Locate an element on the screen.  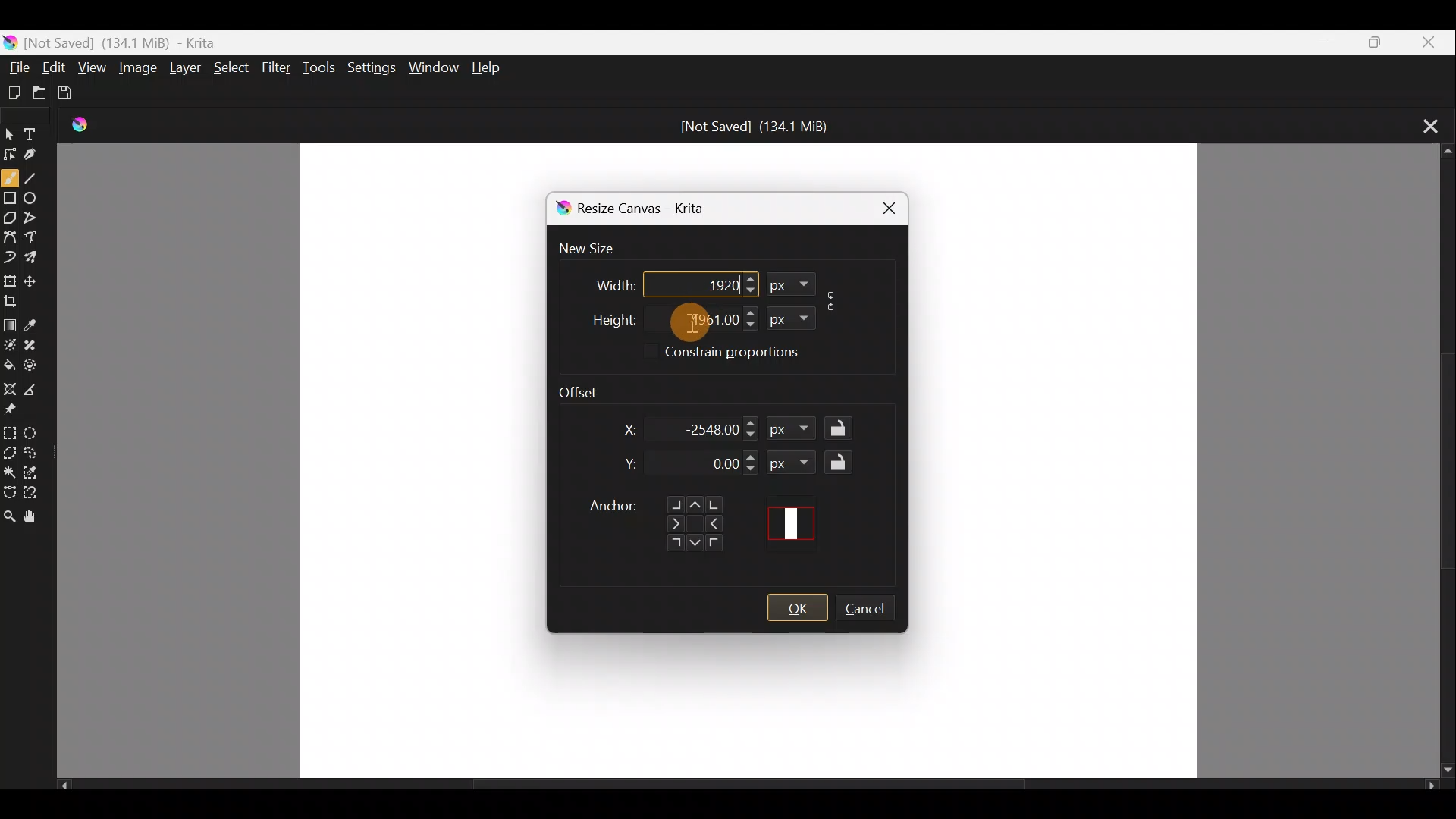
Calligraphy is located at coordinates (40, 156).